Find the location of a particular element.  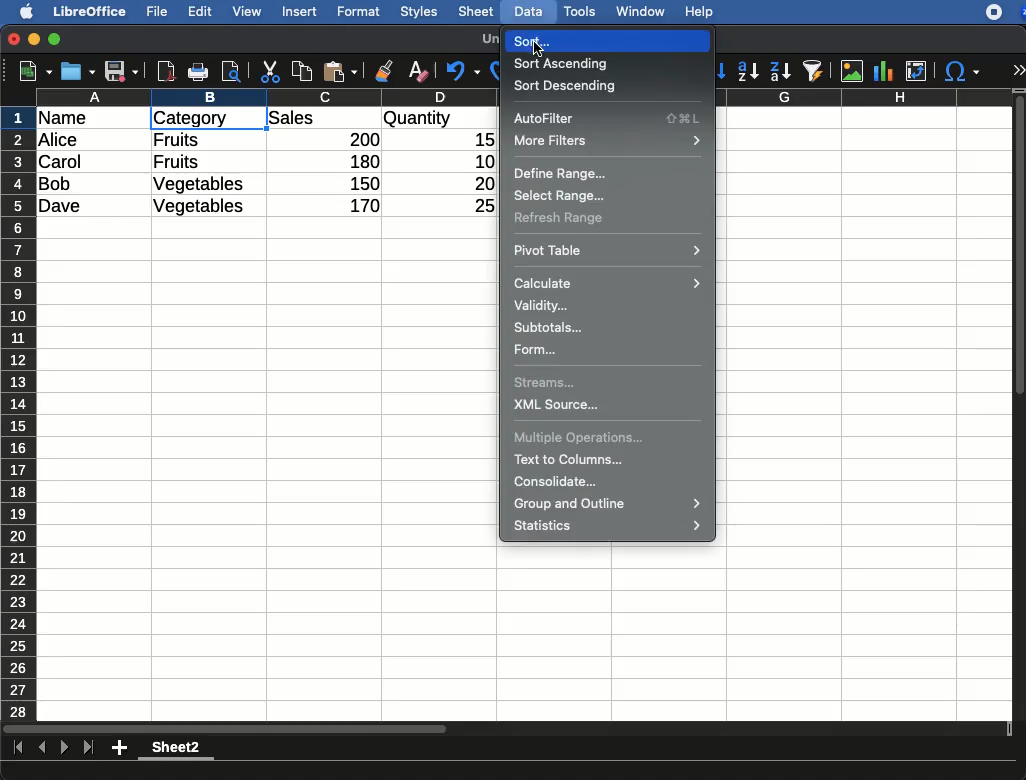

consolidate is located at coordinates (560, 482).